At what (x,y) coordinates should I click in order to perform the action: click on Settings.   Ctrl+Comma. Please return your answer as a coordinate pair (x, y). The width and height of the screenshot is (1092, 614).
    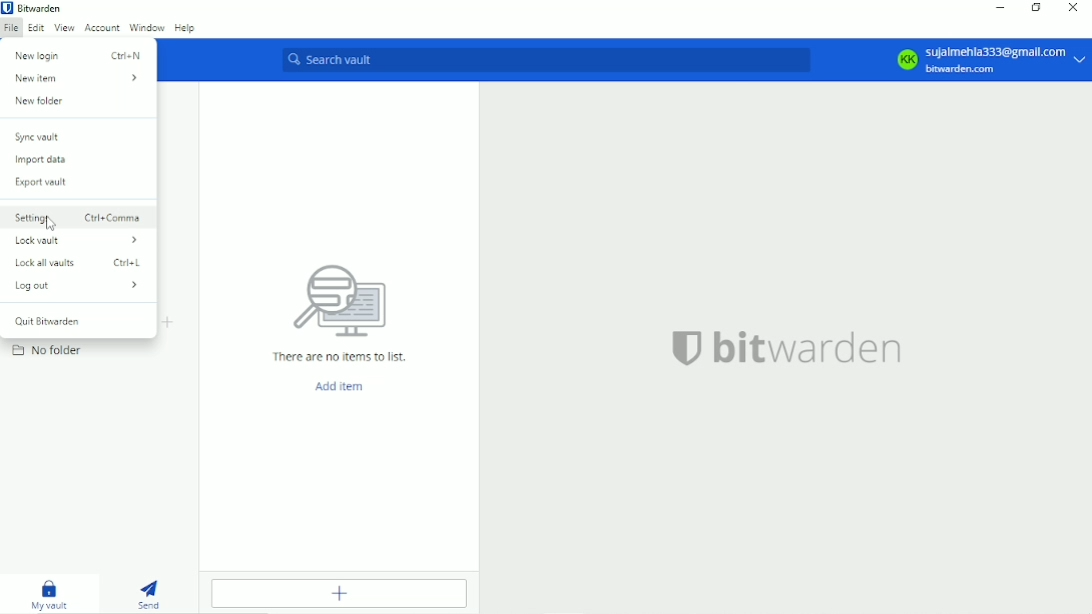
    Looking at the image, I should click on (79, 217).